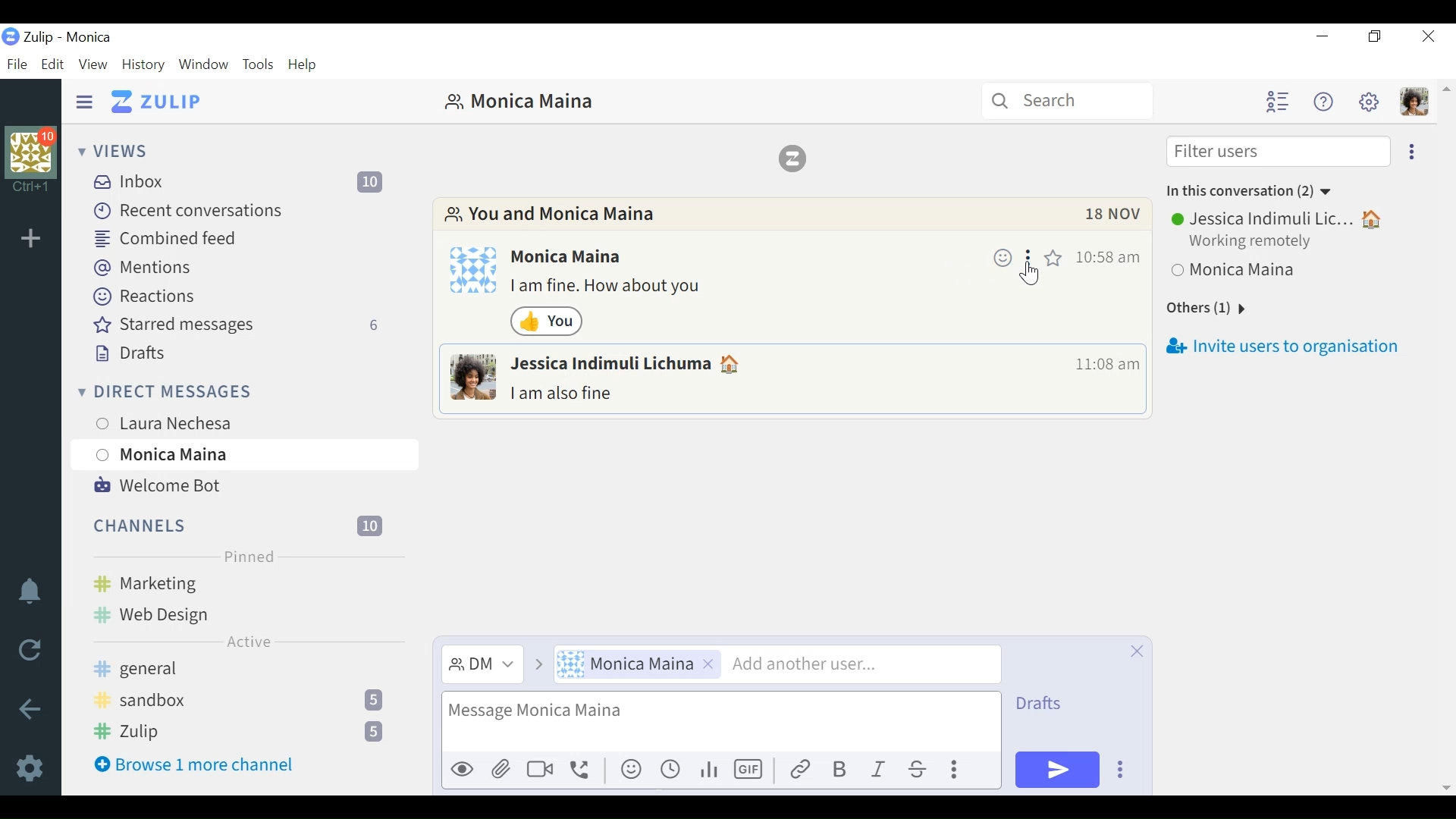 Image resolution: width=1456 pixels, height=819 pixels. Describe the element at coordinates (548, 322) in the screenshot. I see `Emoji reaction` at that location.